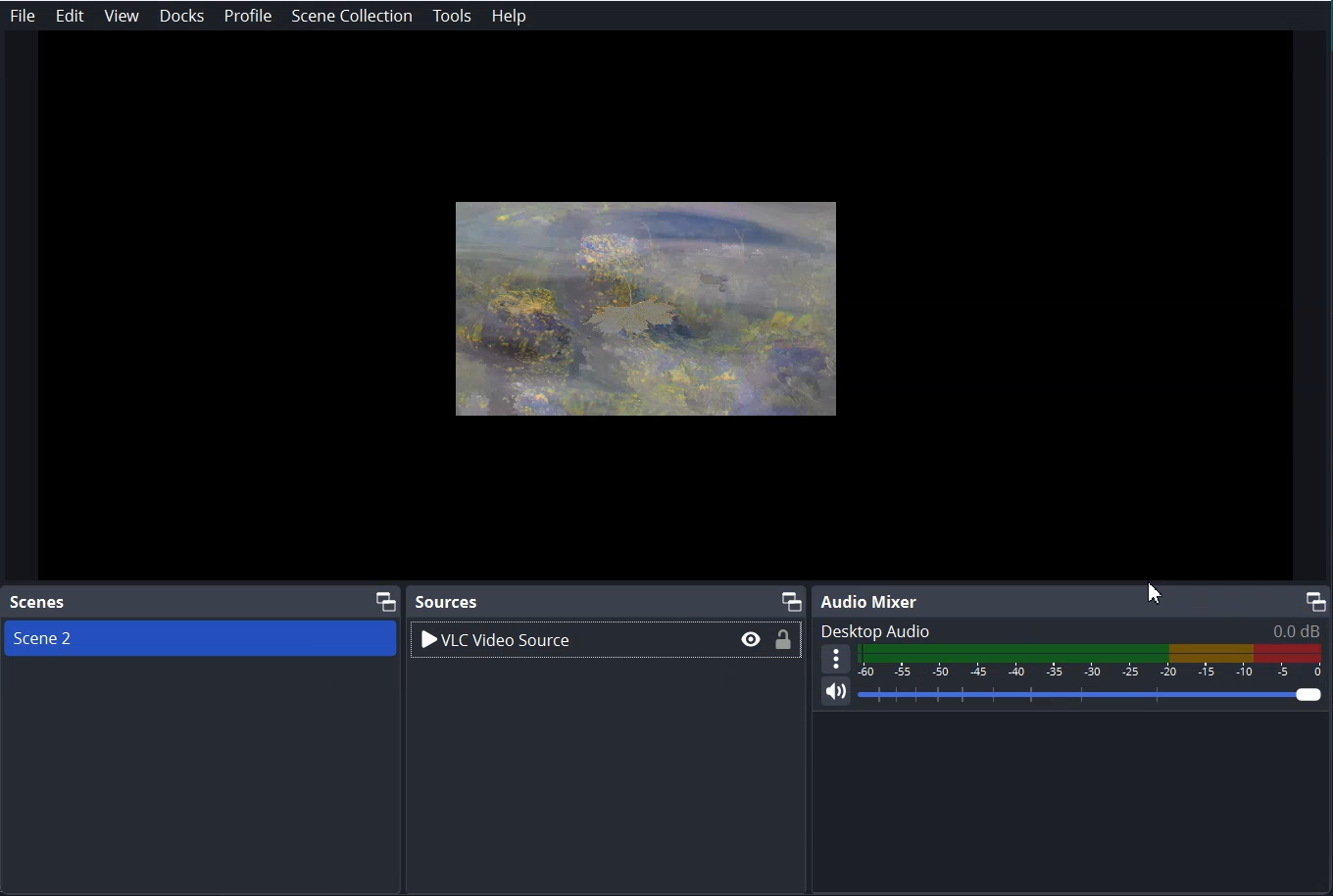 This screenshot has height=896, width=1333. I want to click on more, so click(836, 659).